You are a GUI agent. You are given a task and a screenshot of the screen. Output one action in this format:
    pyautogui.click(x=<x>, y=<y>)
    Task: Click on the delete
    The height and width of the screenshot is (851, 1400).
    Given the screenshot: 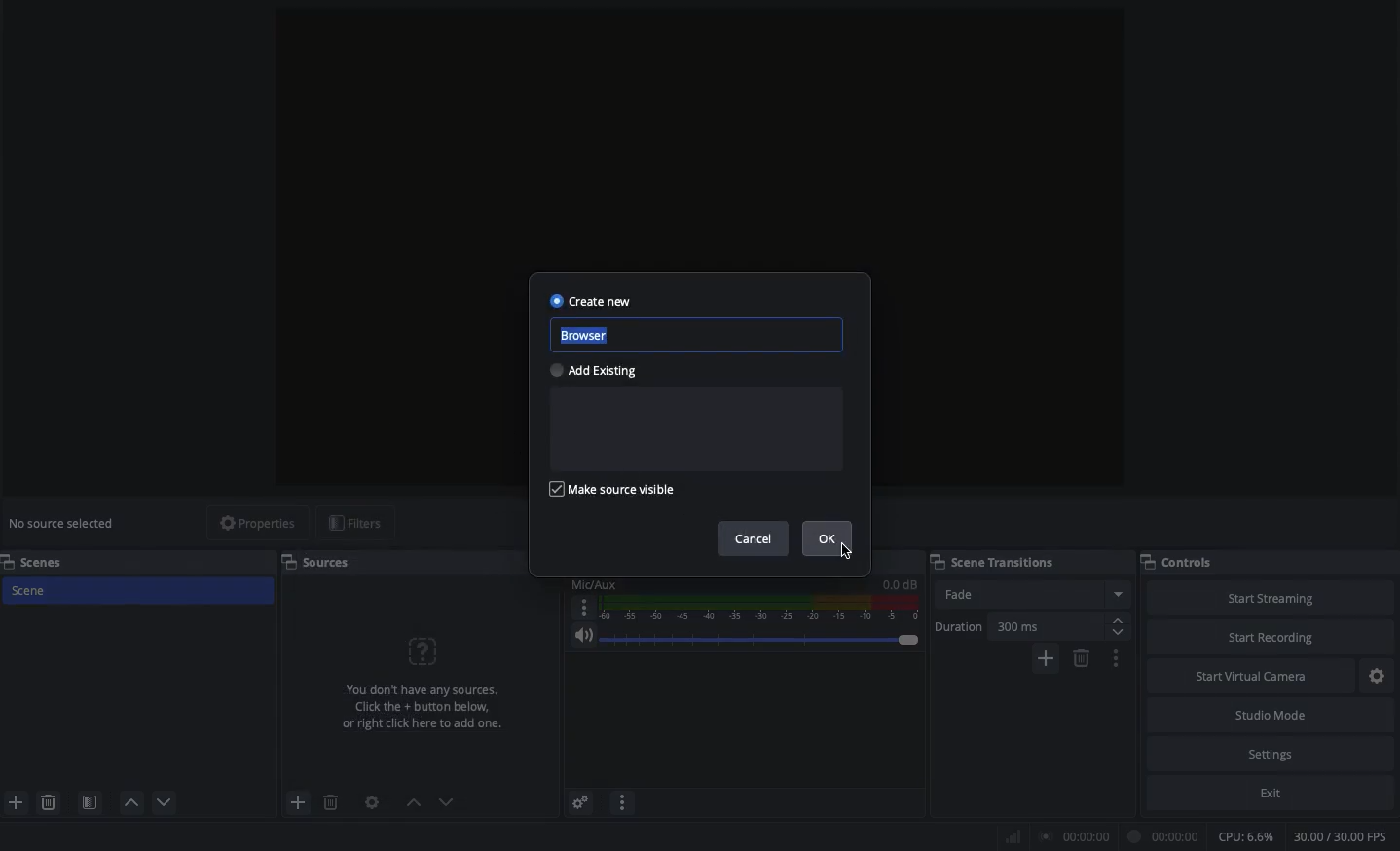 What is the action you would take?
    pyautogui.click(x=53, y=804)
    